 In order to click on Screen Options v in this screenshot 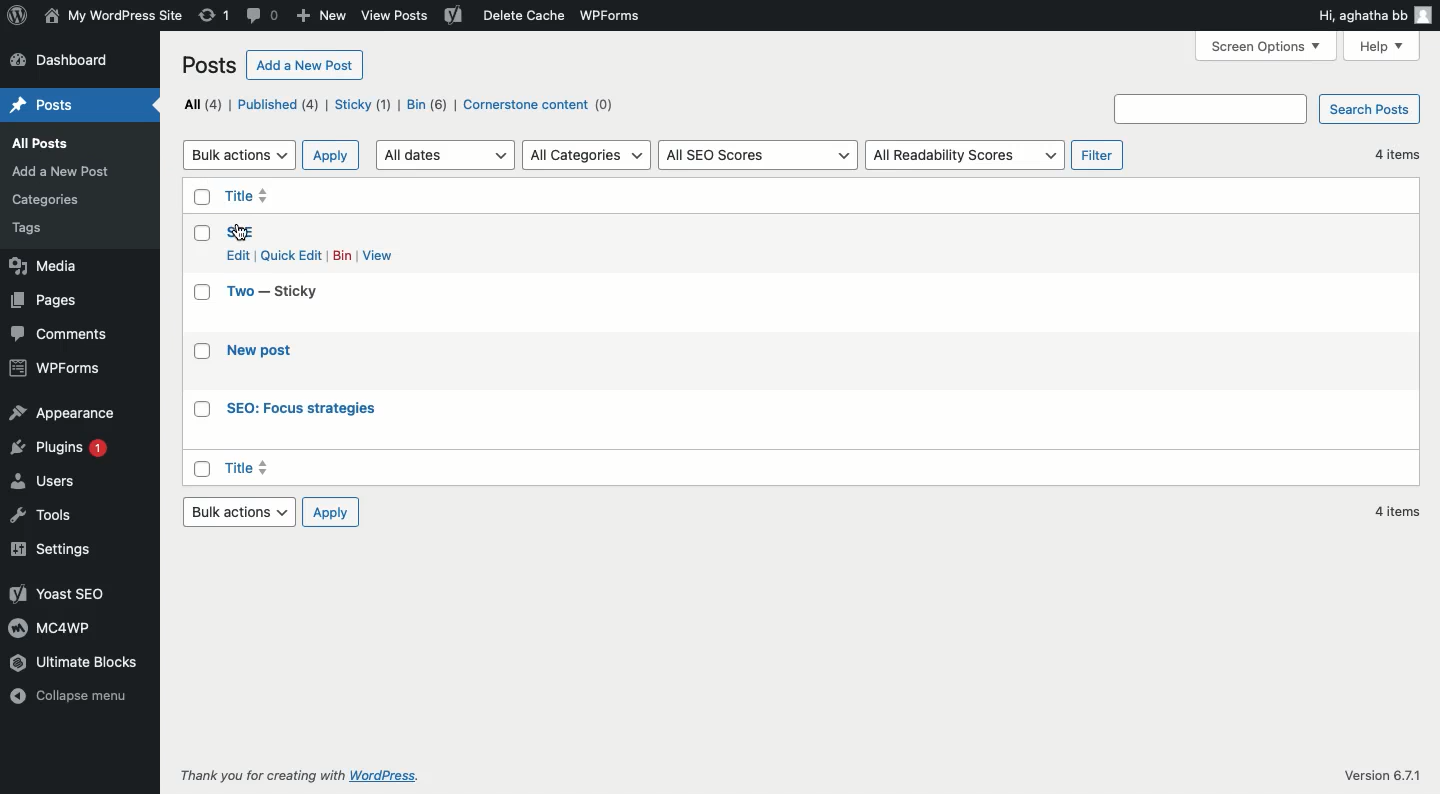, I will do `click(1262, 45)`.